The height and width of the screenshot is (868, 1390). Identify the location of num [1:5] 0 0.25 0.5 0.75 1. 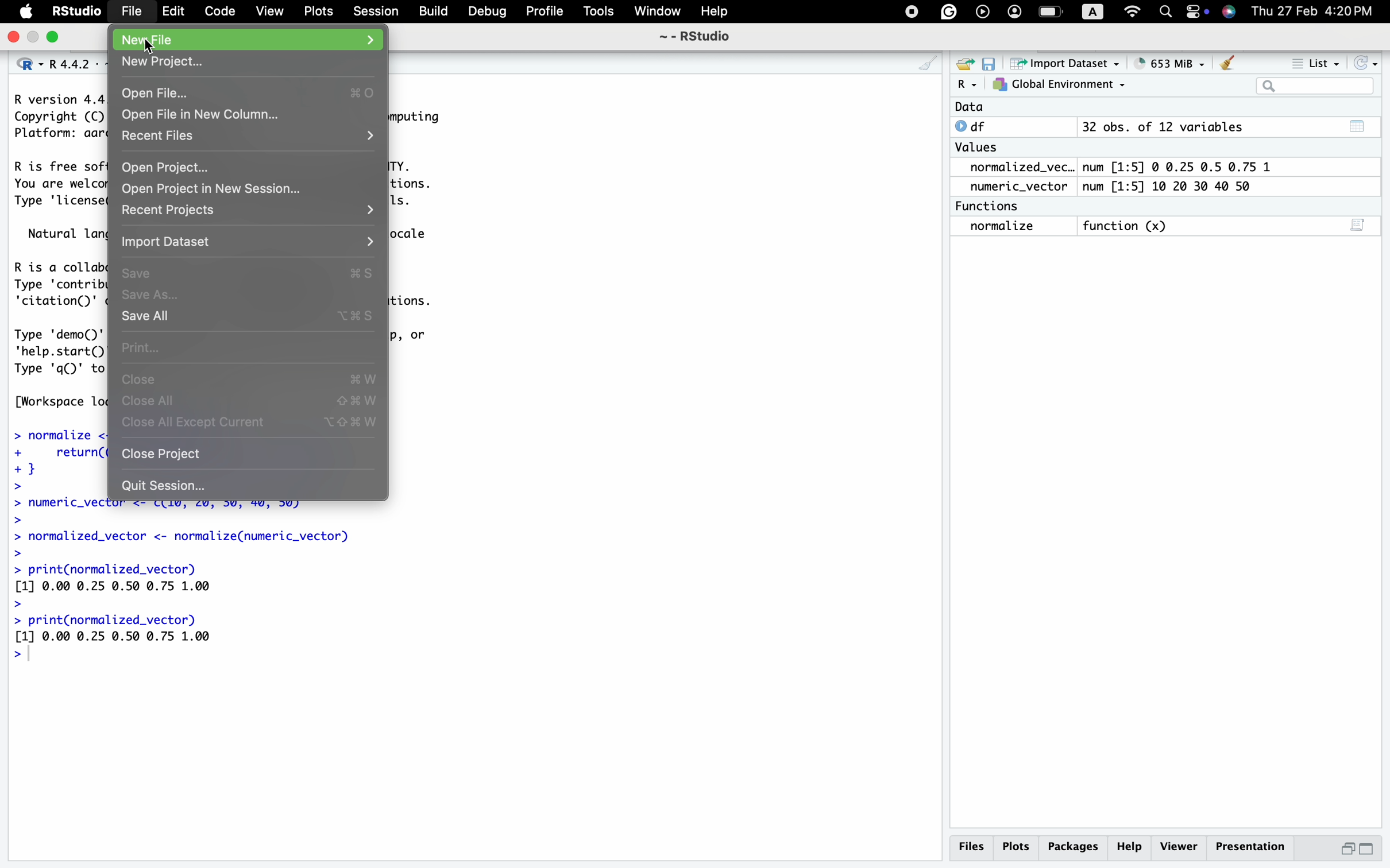
(1180, 167).